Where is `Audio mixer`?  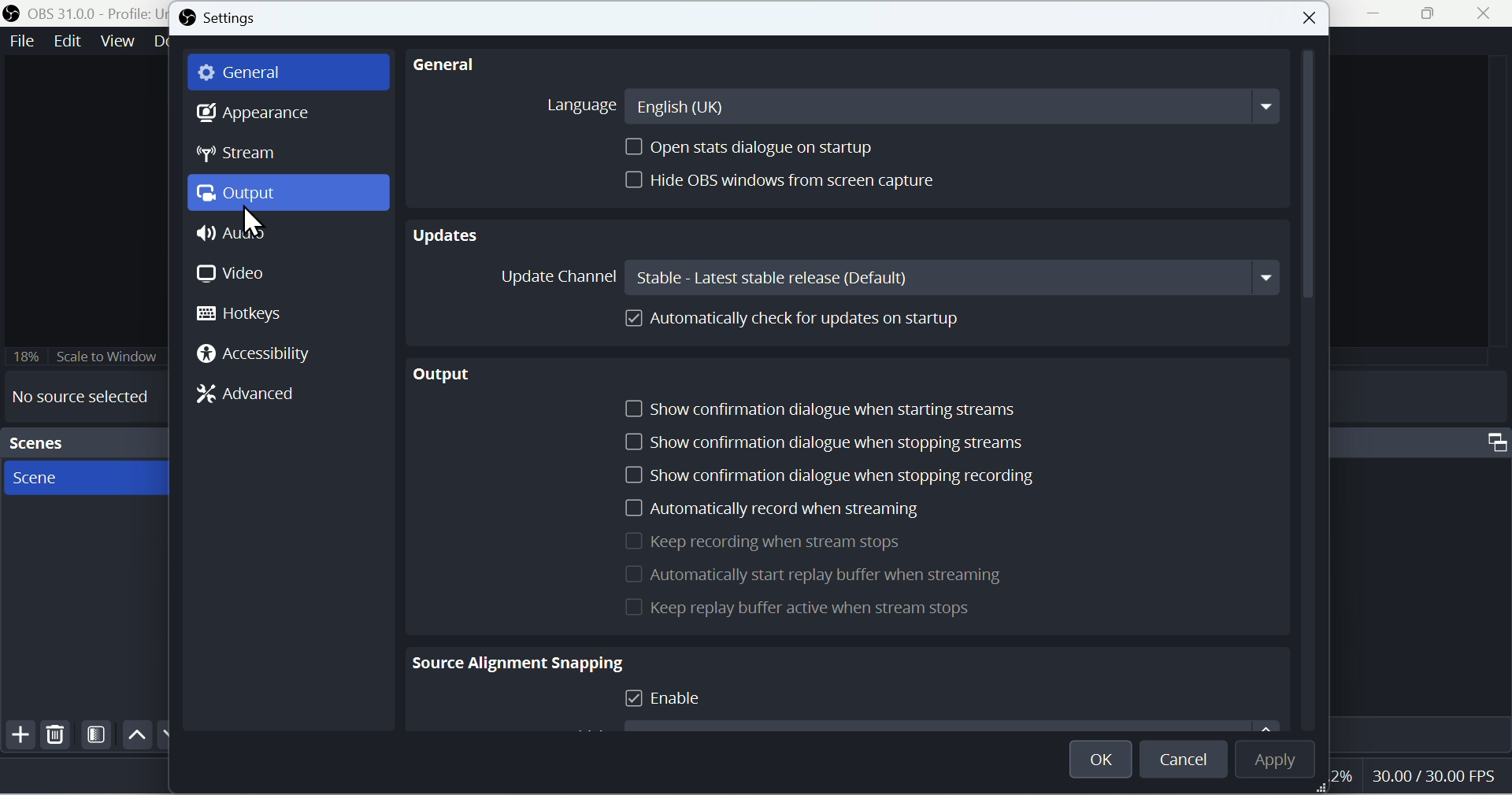
Audio mixer is located at coordinates (1425, 440).